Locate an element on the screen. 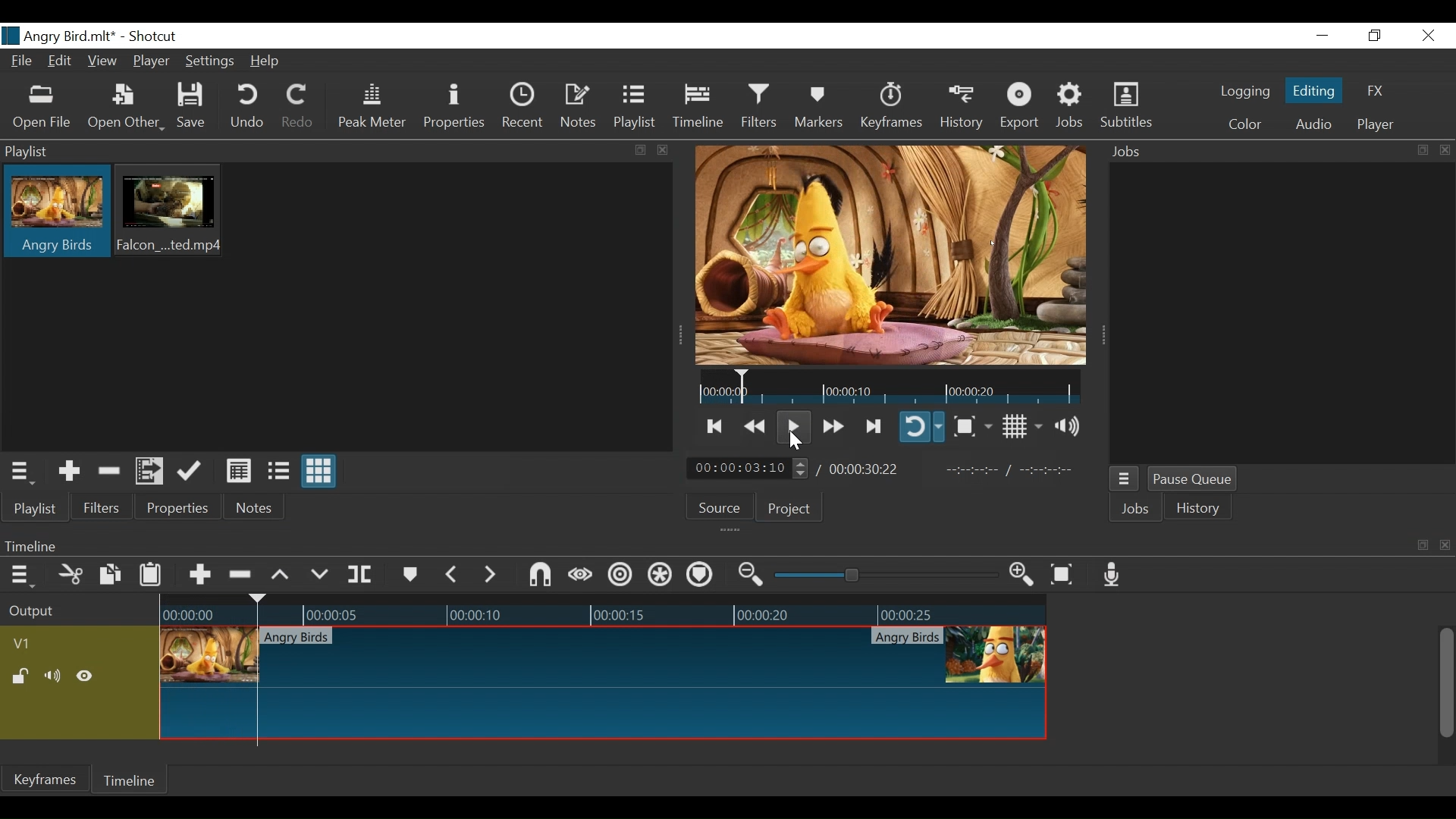 This screenshot has height=819, width=1456. Project is located at coordinates (790, 511).